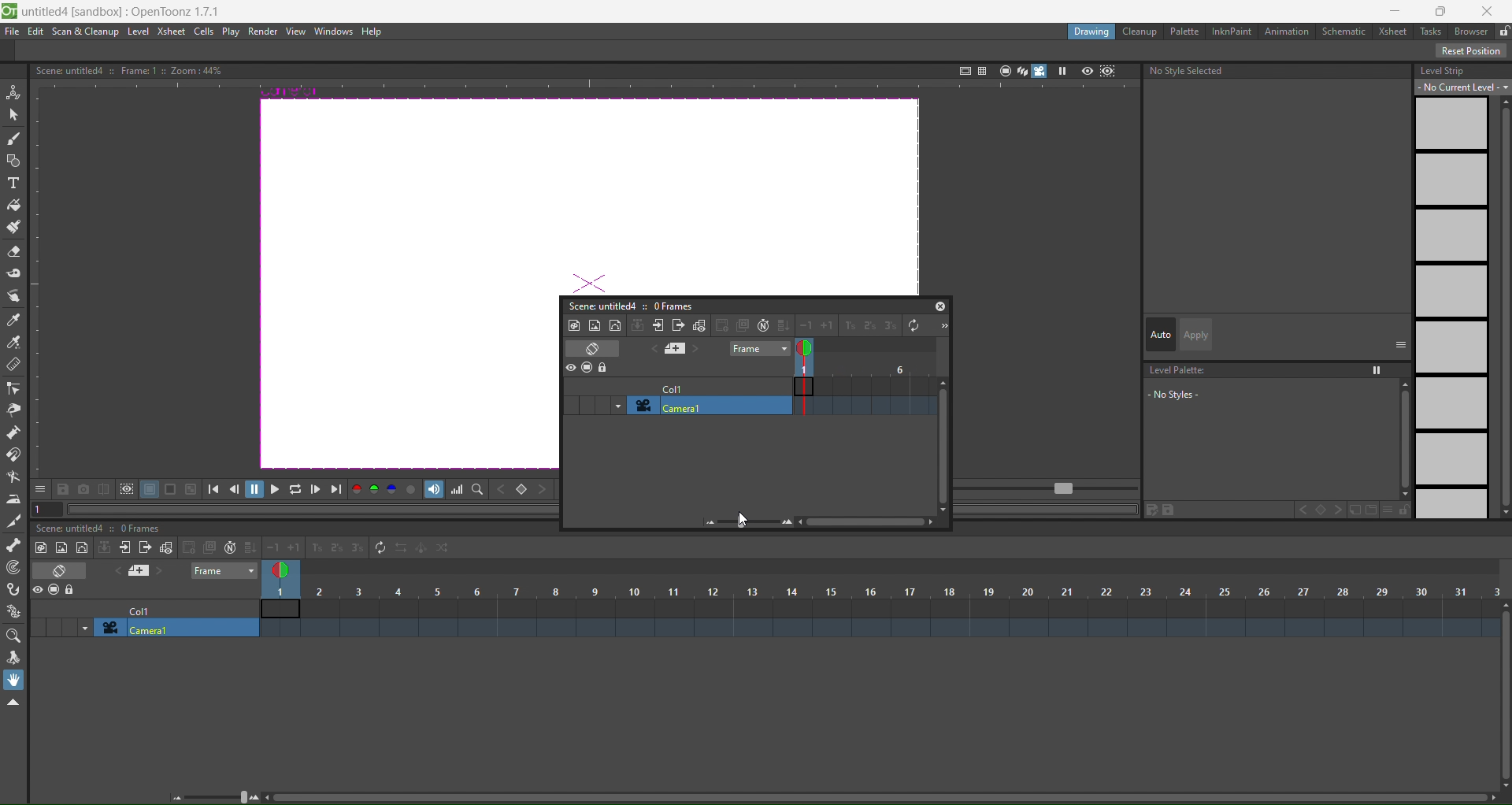  Describe the element at coordinates (376, 490) in the screenshot. I see `rgb chanel` at that location.